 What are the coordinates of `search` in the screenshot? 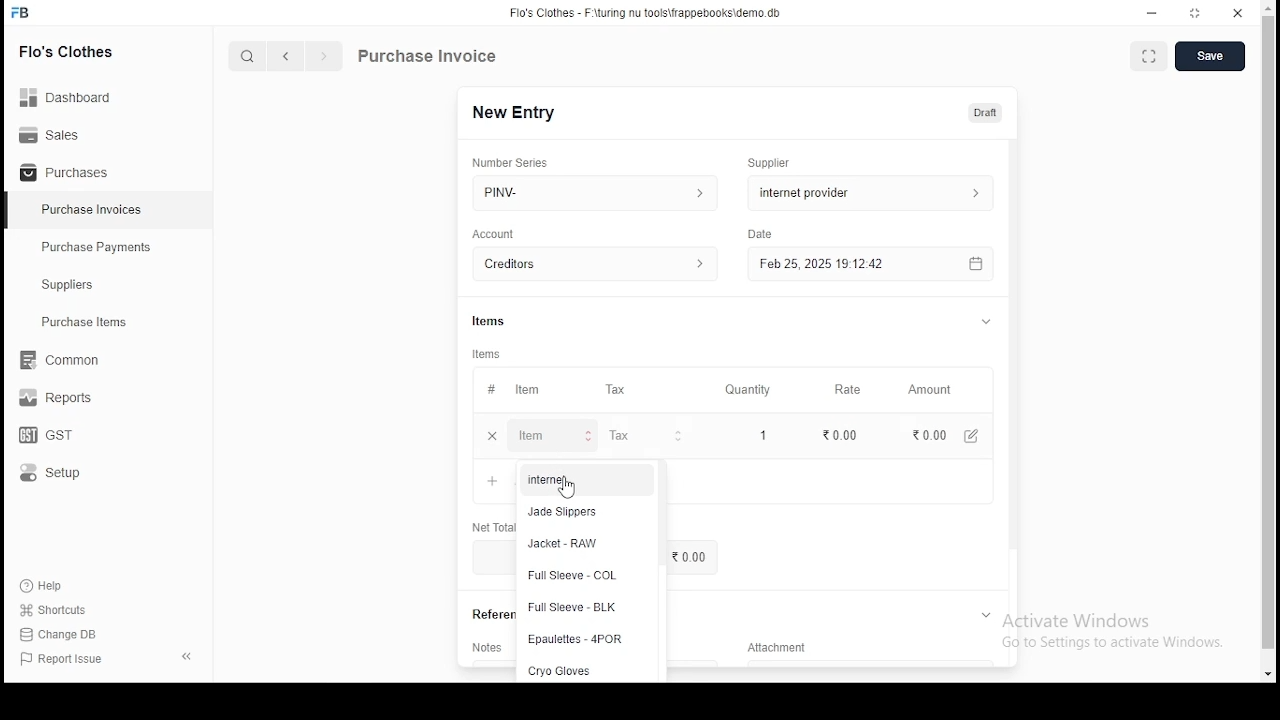 It's located at (250, 58).